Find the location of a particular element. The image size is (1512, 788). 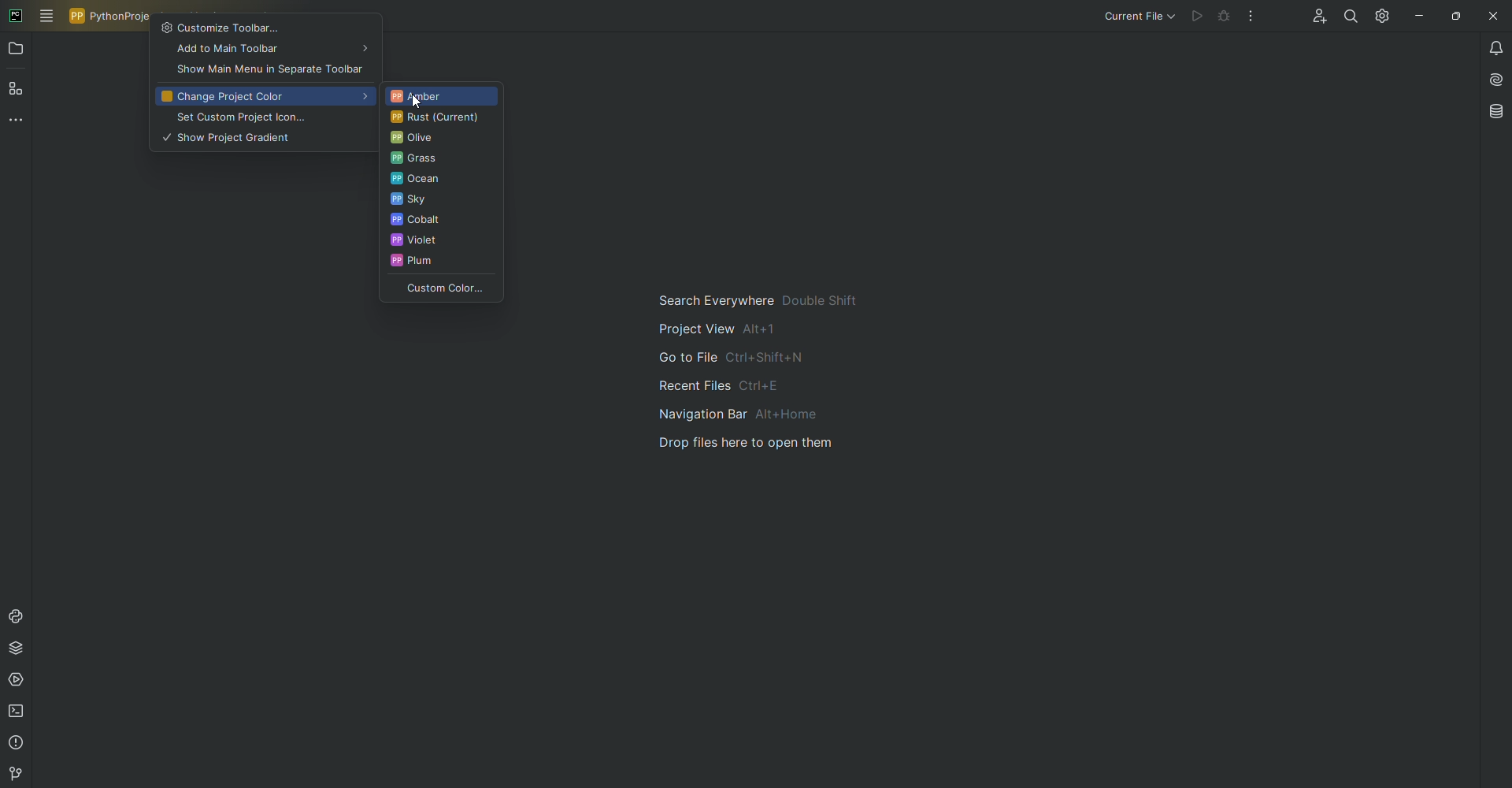

More Tools is located at coordinates (19, 124).